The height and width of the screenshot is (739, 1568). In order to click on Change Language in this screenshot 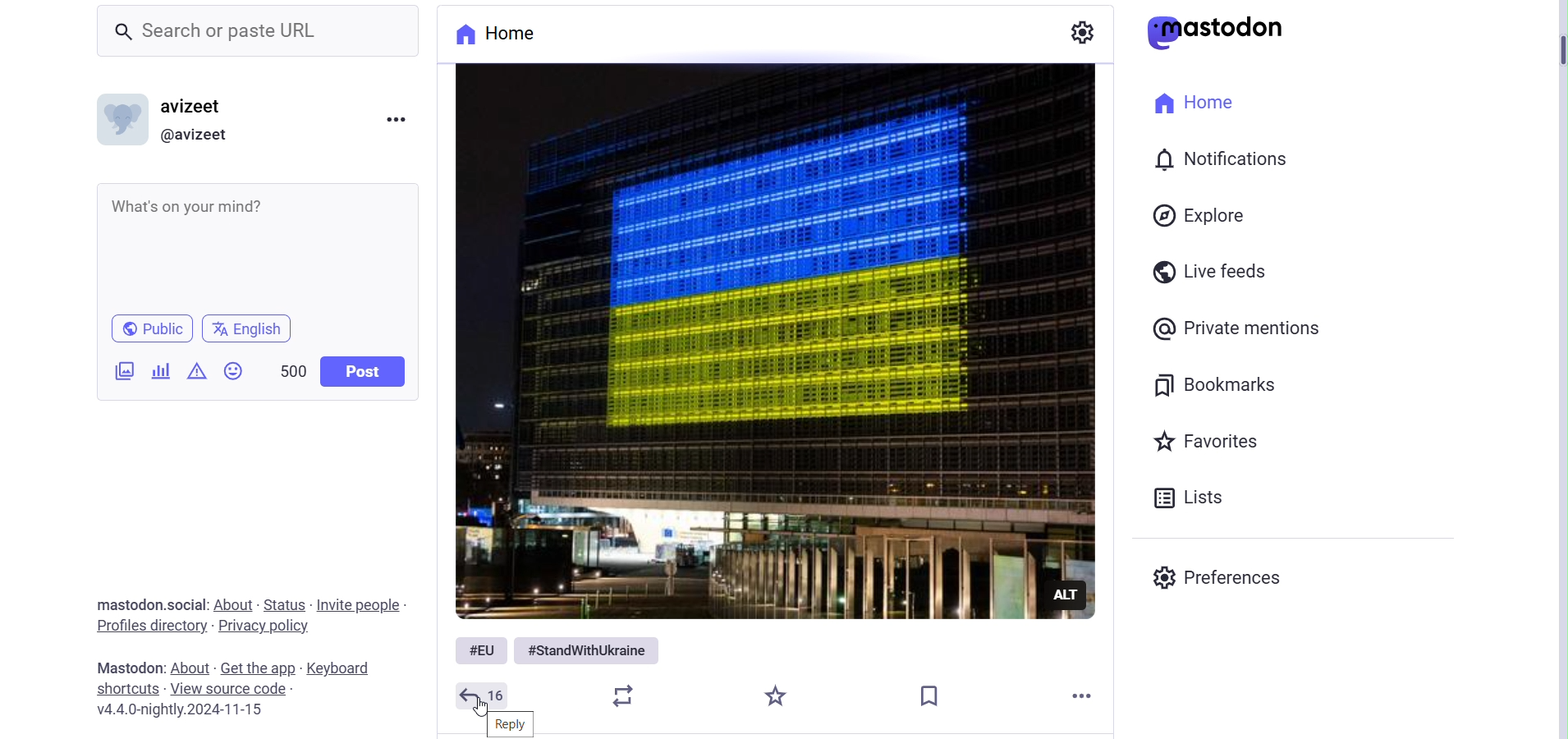, I will do `click(245, 330)`.